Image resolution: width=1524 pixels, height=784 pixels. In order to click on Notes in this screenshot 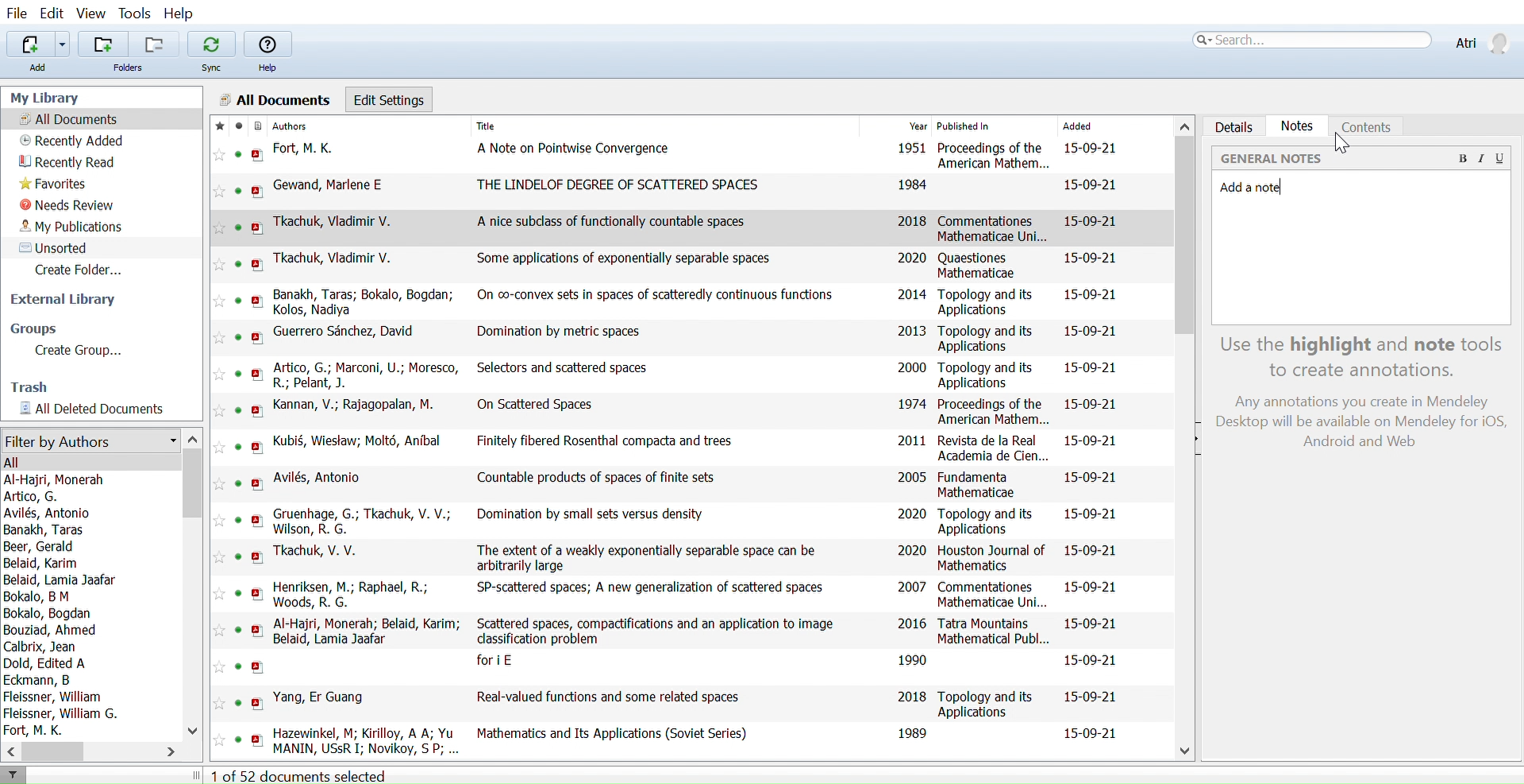, I will do `click(1295, 126)`.